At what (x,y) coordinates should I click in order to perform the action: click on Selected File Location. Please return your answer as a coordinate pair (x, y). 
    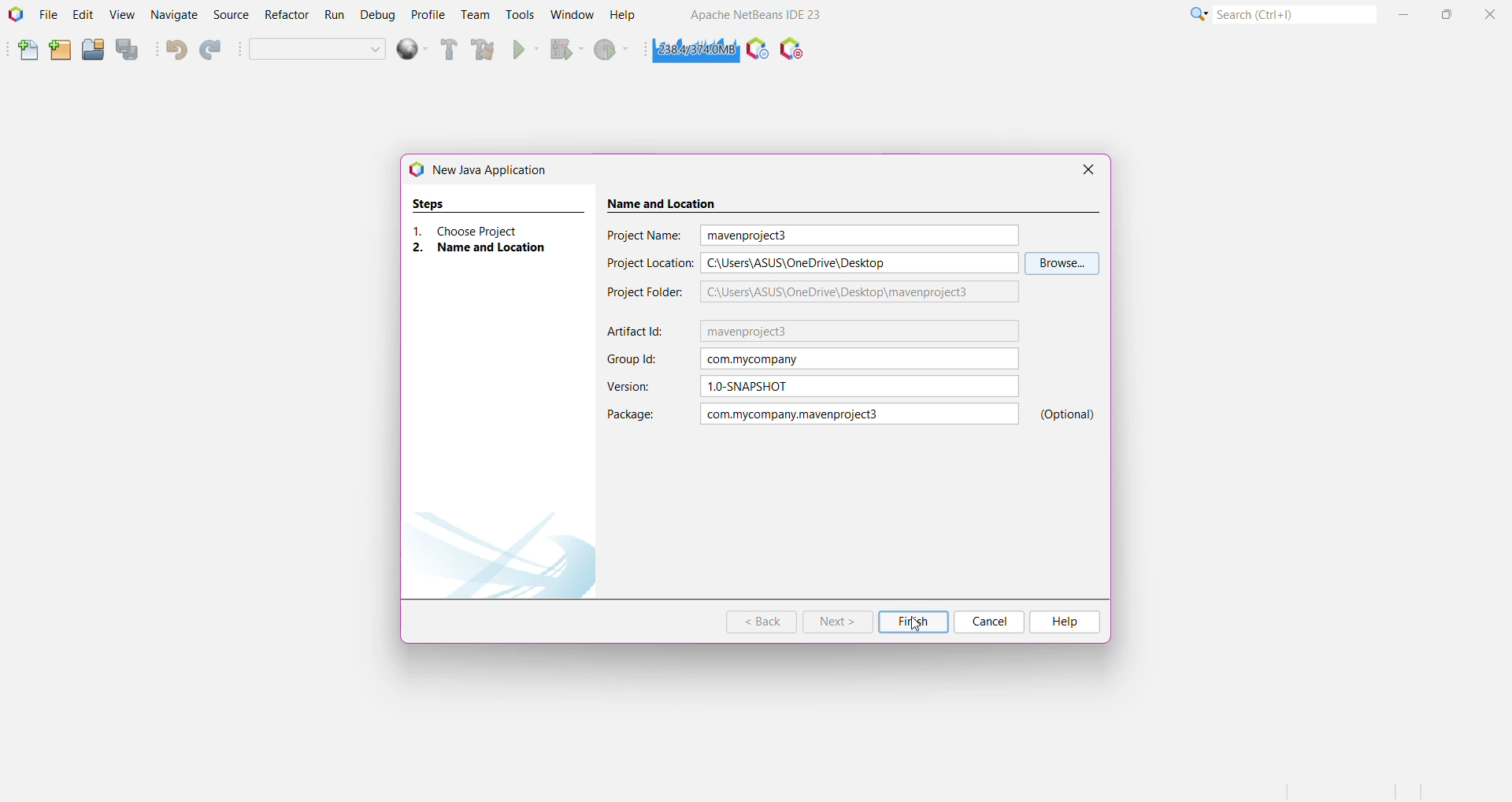
    Looking at the image, I should click on (858, 262).